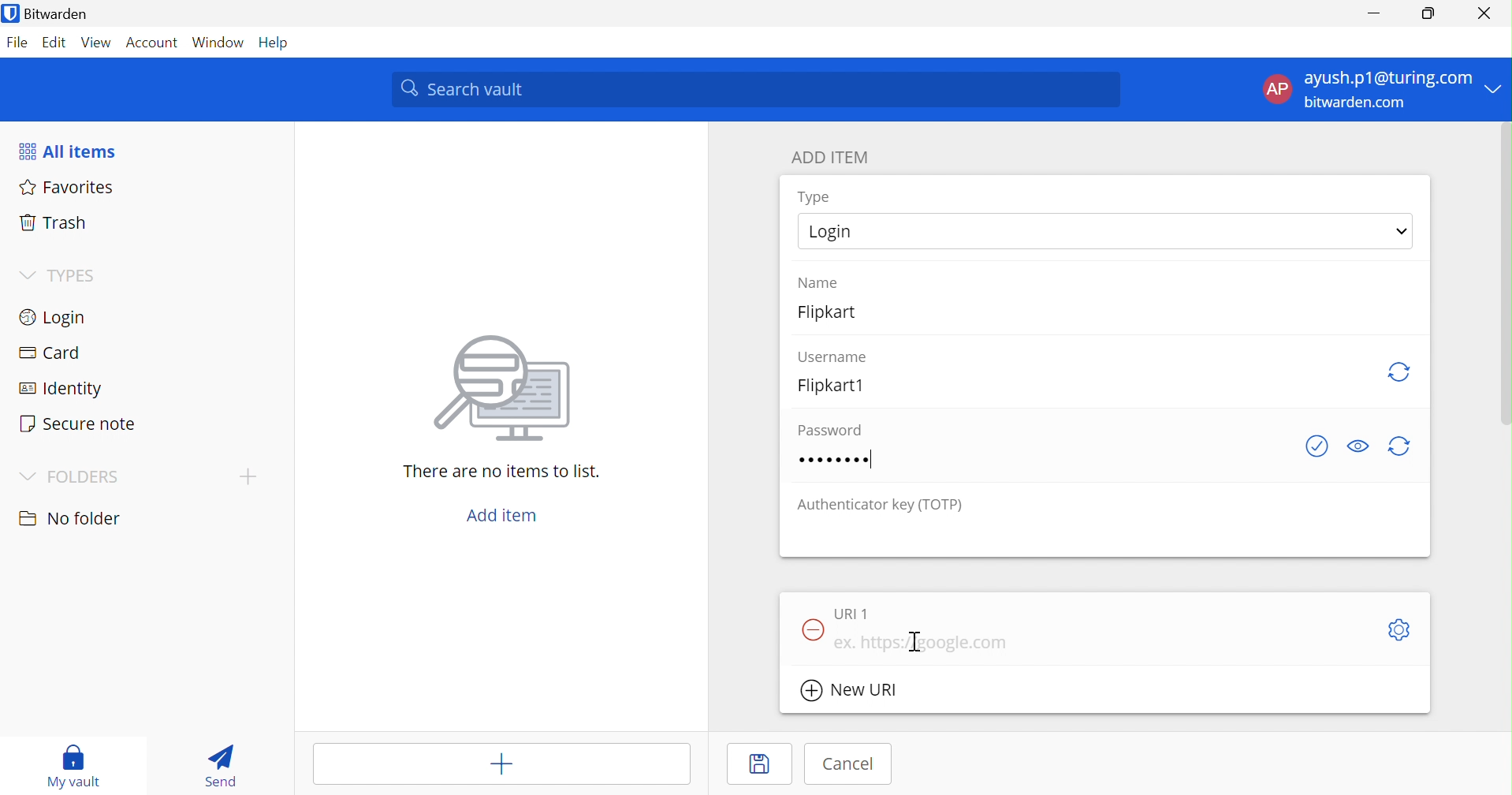 The height and width of the screenshot is (795, 1512). I want to click on Toggle Visibility, so click(1361, 444).